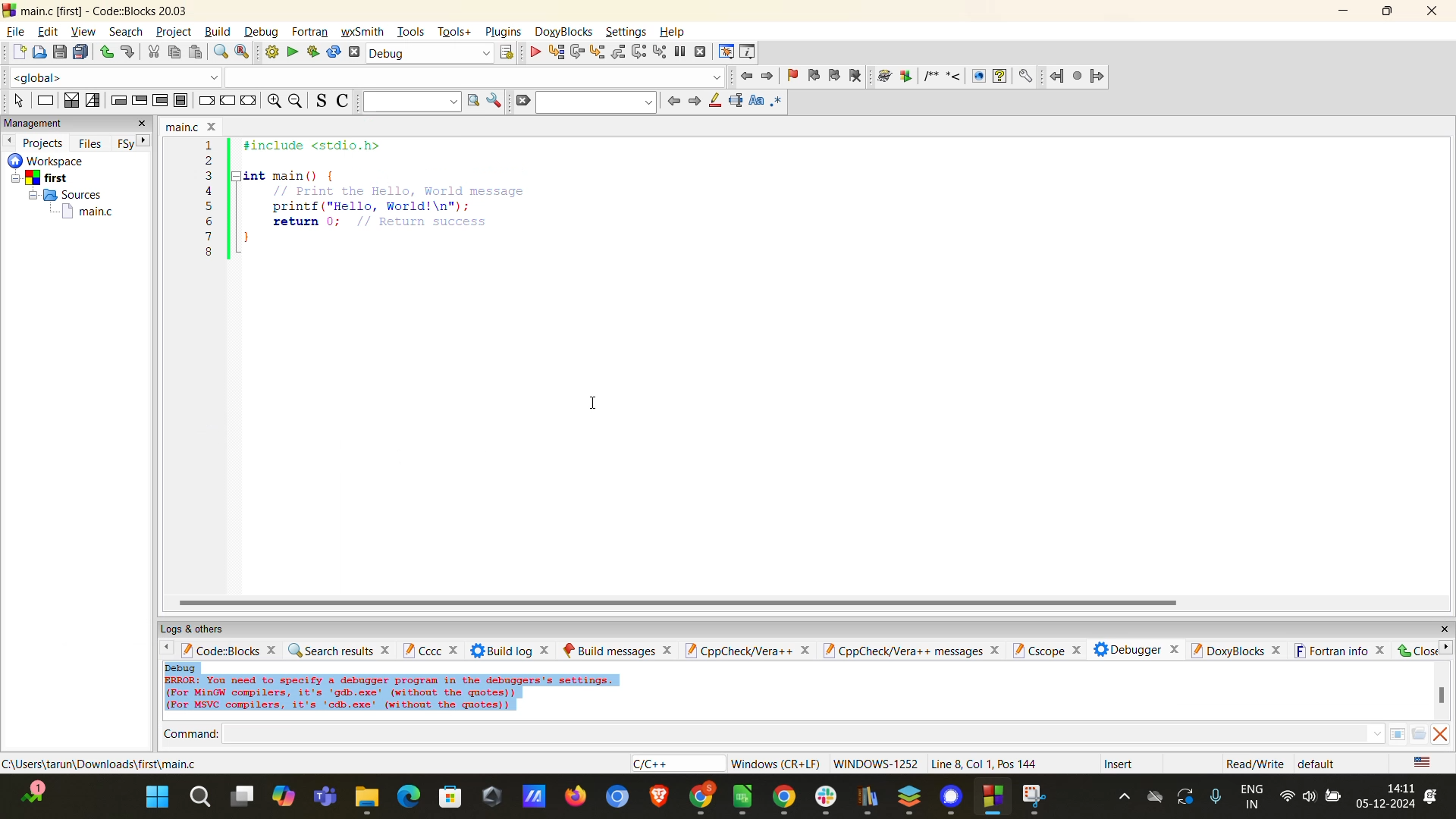 This screenshot has height=819, width=1456. I want to click on abort, so click(356, 52).